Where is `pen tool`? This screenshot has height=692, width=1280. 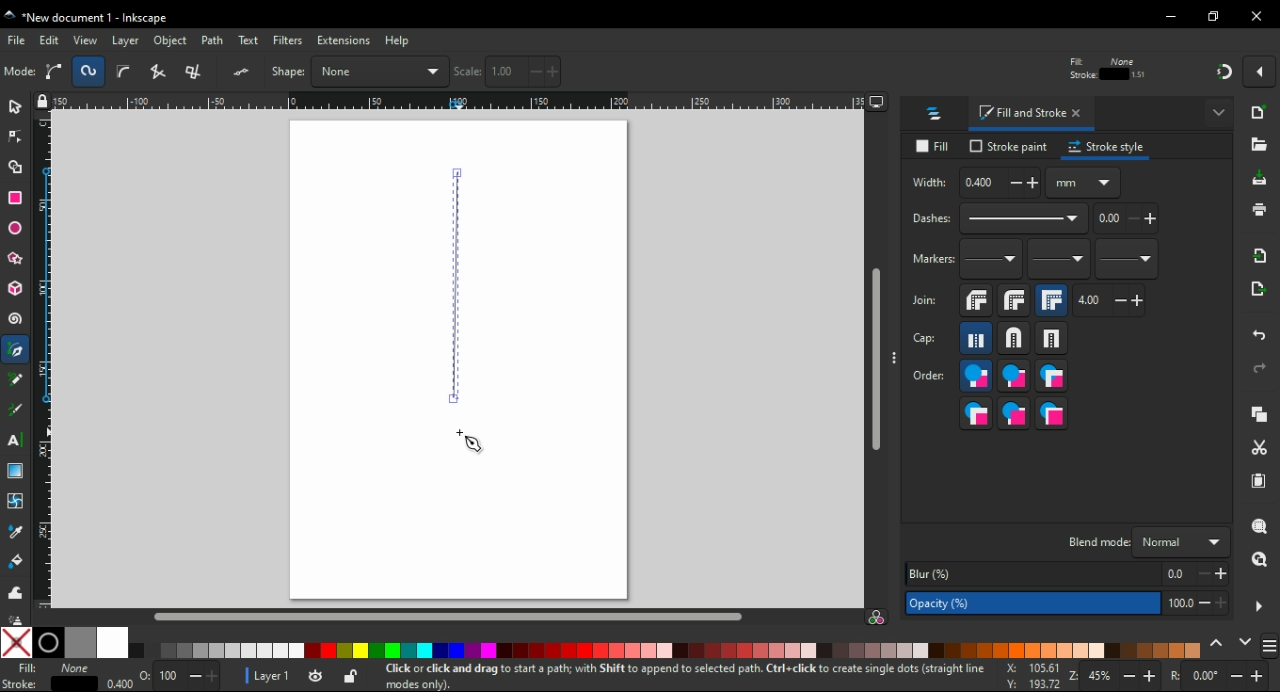
pen tool is located at coordinates (17, 351).